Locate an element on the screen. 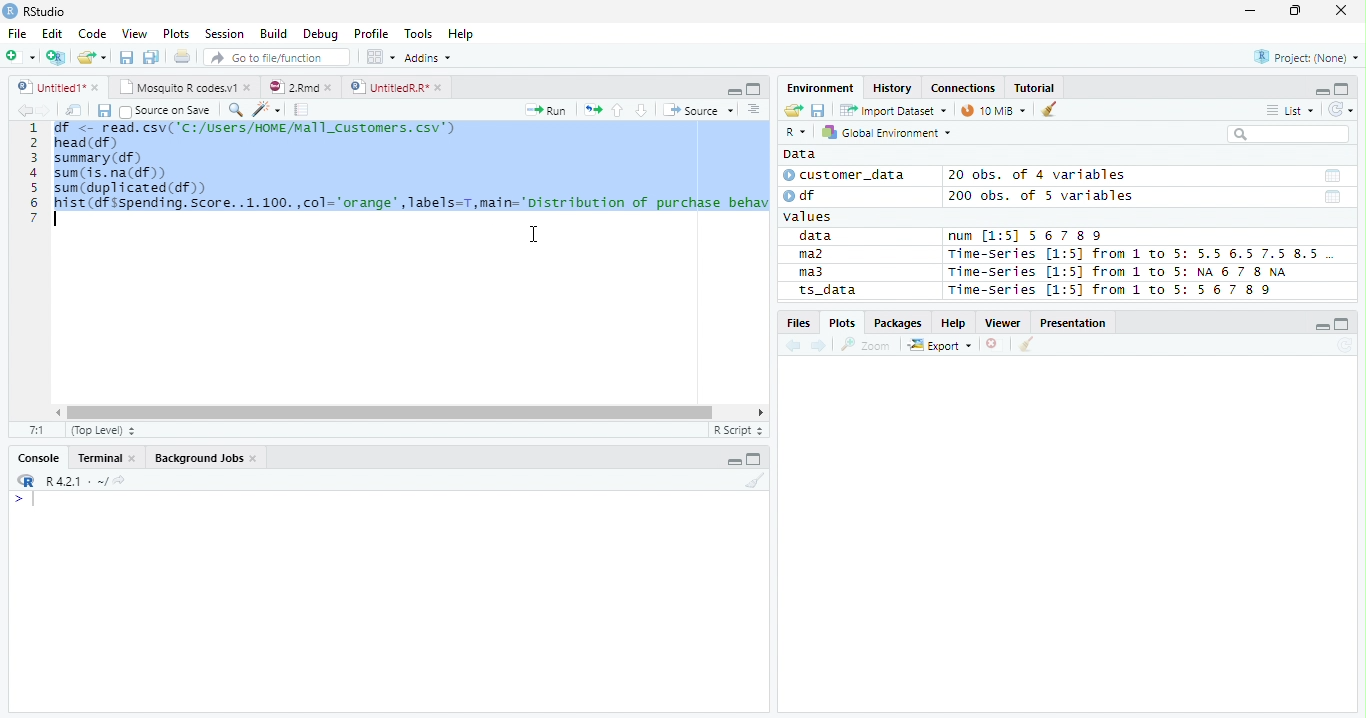 This screenshot has height=718, width=1366. Code is located at coordinates (94, 34).